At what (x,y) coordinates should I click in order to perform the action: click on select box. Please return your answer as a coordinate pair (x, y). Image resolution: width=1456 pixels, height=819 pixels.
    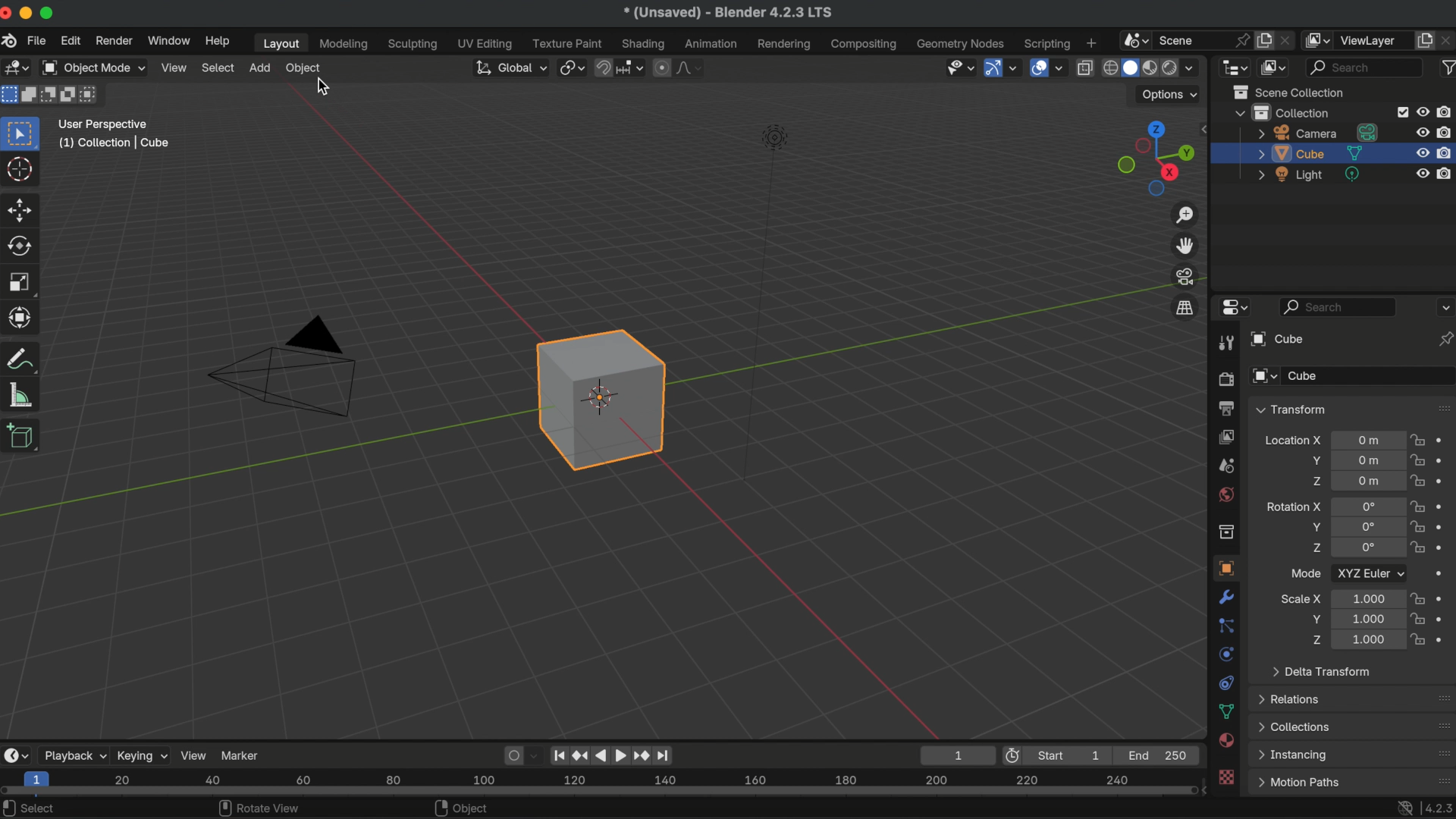
    Looking at the image, I should click on (23, 133).